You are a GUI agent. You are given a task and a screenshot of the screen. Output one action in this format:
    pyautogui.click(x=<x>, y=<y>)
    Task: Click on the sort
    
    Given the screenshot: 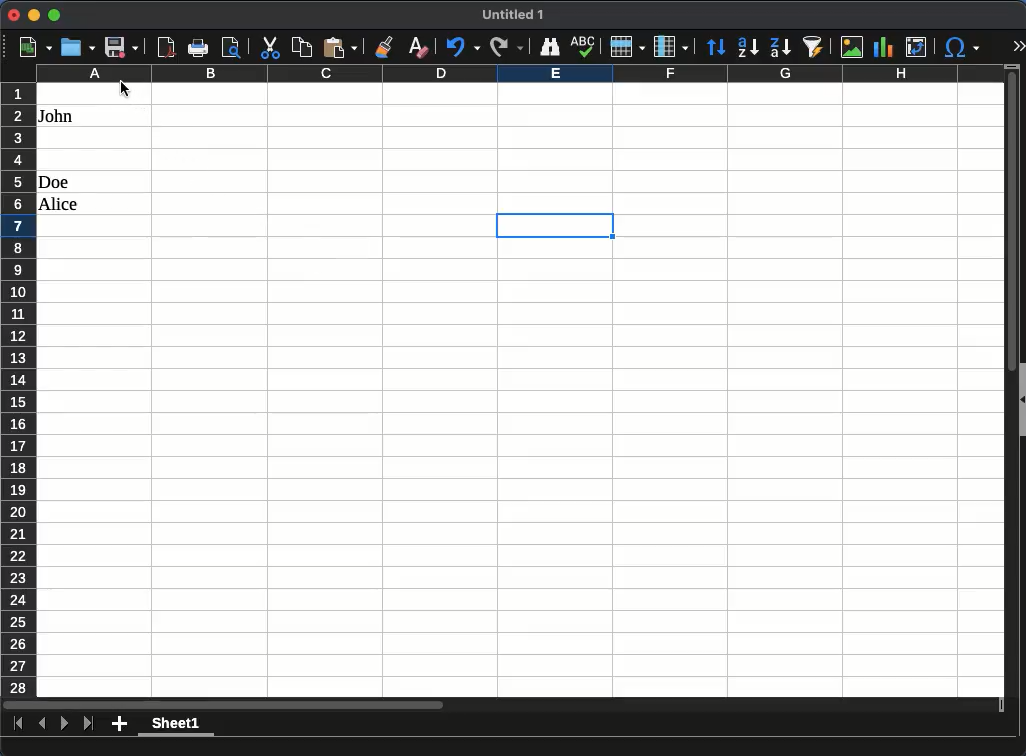 What is the action you would take?
    pyautogui.click(x=718, y=47)
    